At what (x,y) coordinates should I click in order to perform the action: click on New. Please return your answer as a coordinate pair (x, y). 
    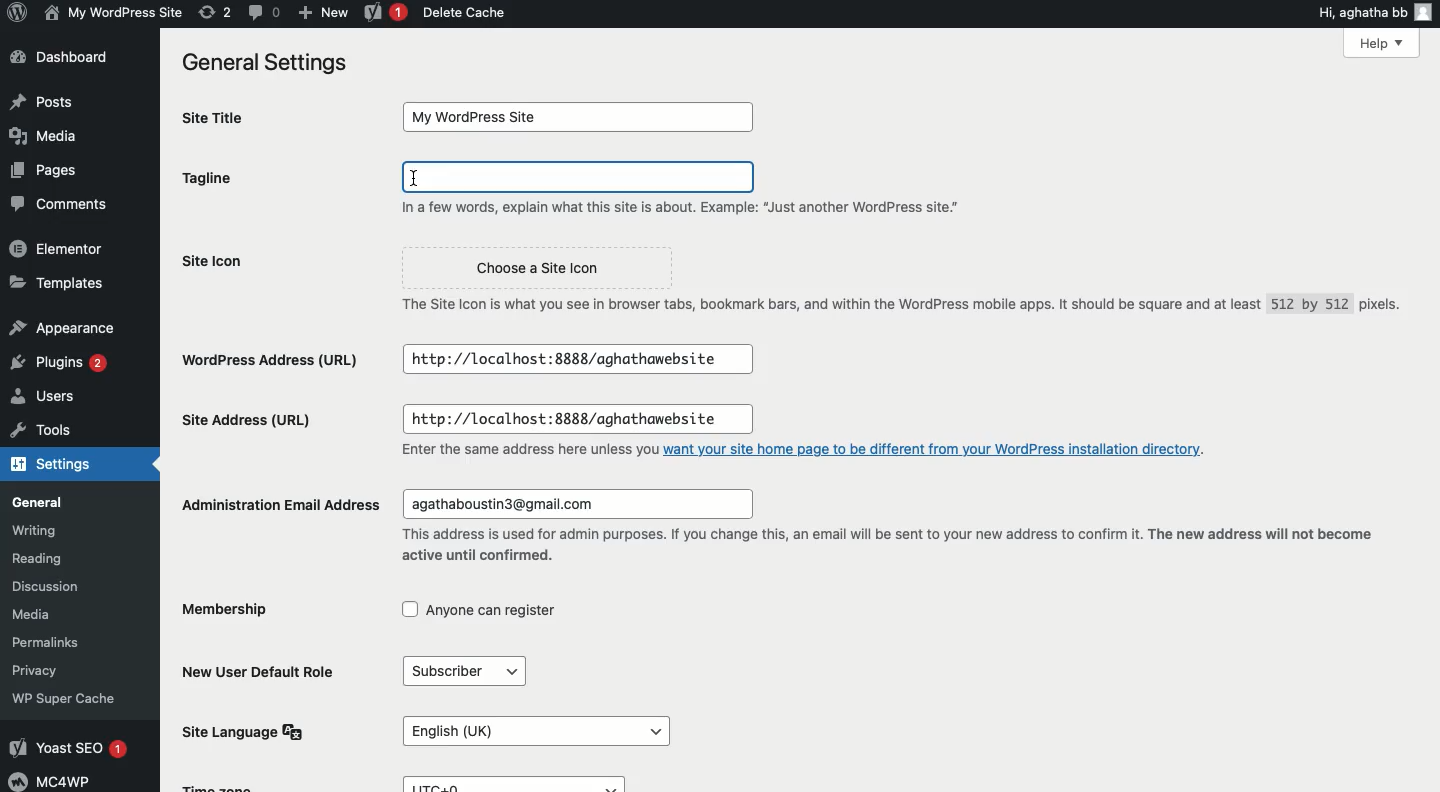
    Looking at the image, I should click on (323, 12).